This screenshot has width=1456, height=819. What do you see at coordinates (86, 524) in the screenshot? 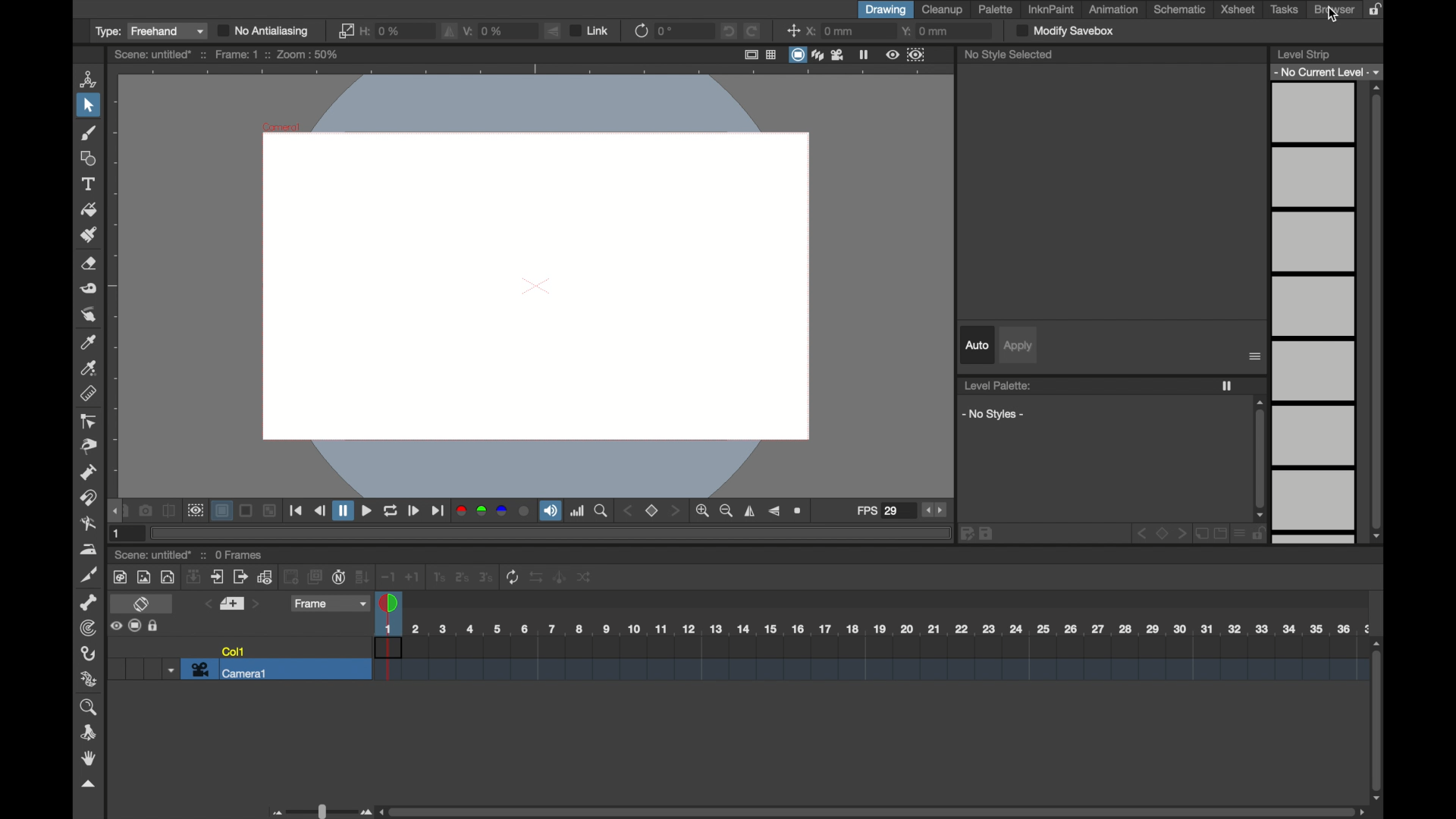
I see `blender tool` at bounding box center [86, 524].